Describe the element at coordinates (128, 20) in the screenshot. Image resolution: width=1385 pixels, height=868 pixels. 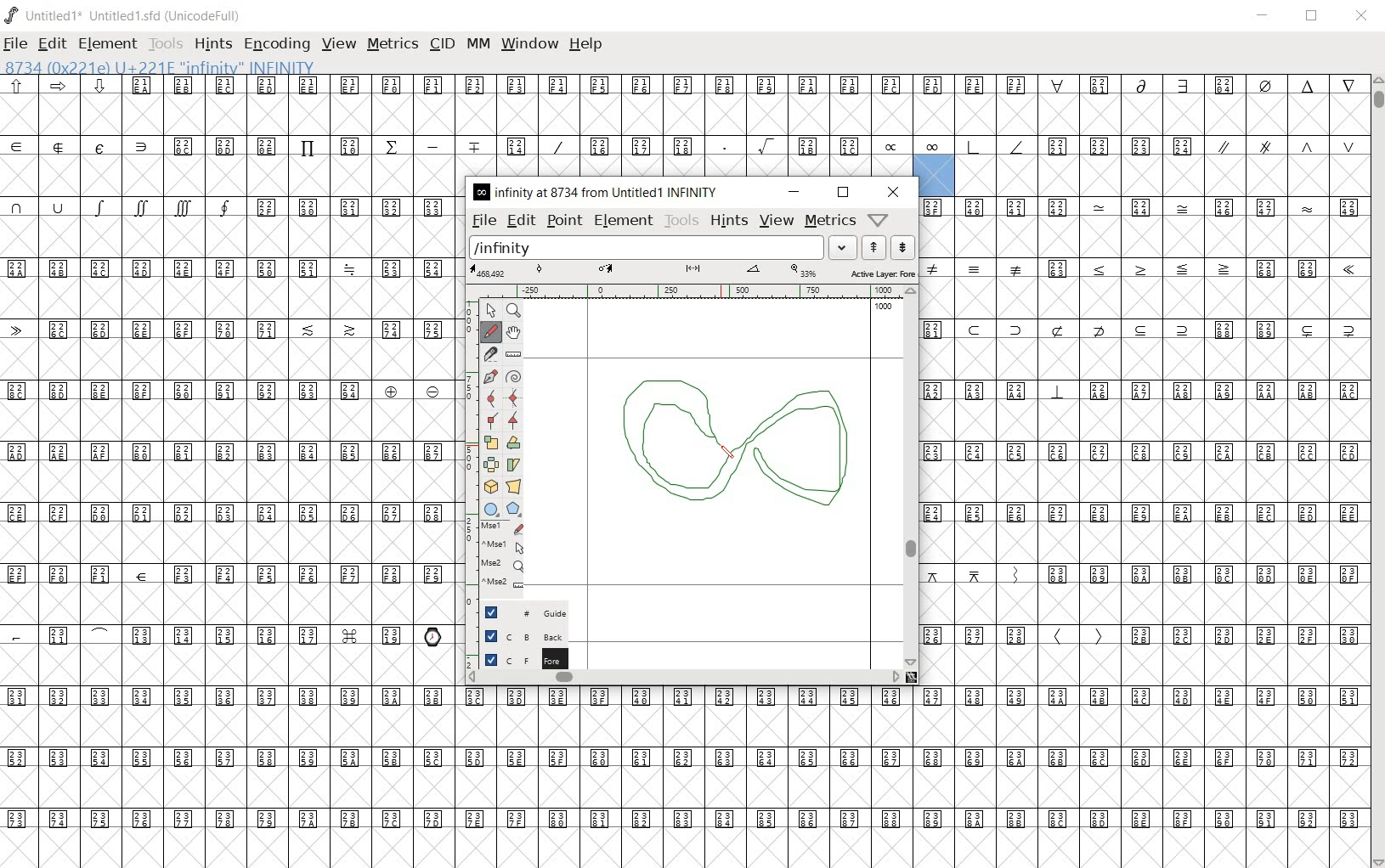
I see `Untitled1 Untitled1.sfd (UnicodeFull)` at that location.